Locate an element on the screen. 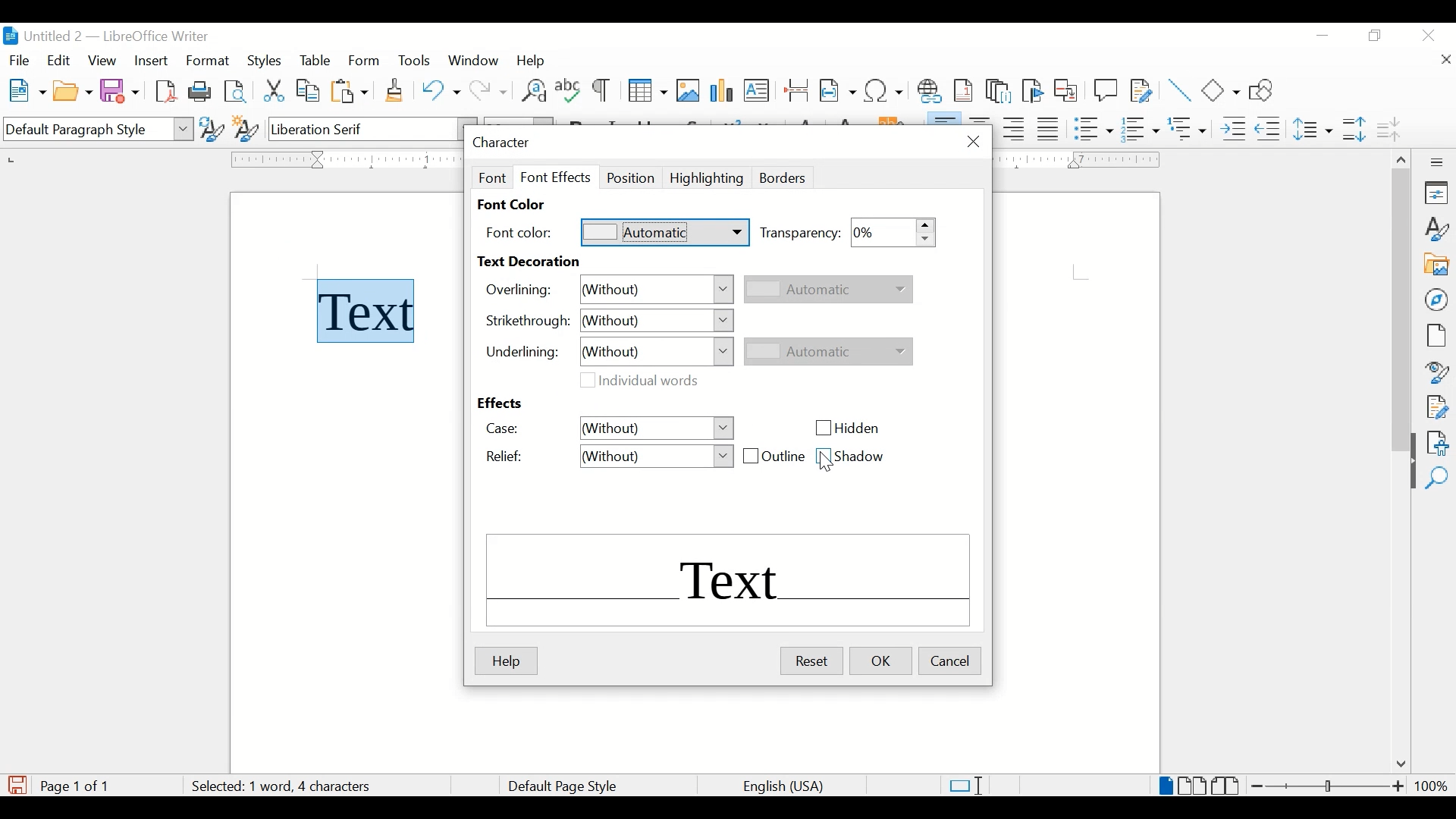  font  is located at coordinates (491, 178).